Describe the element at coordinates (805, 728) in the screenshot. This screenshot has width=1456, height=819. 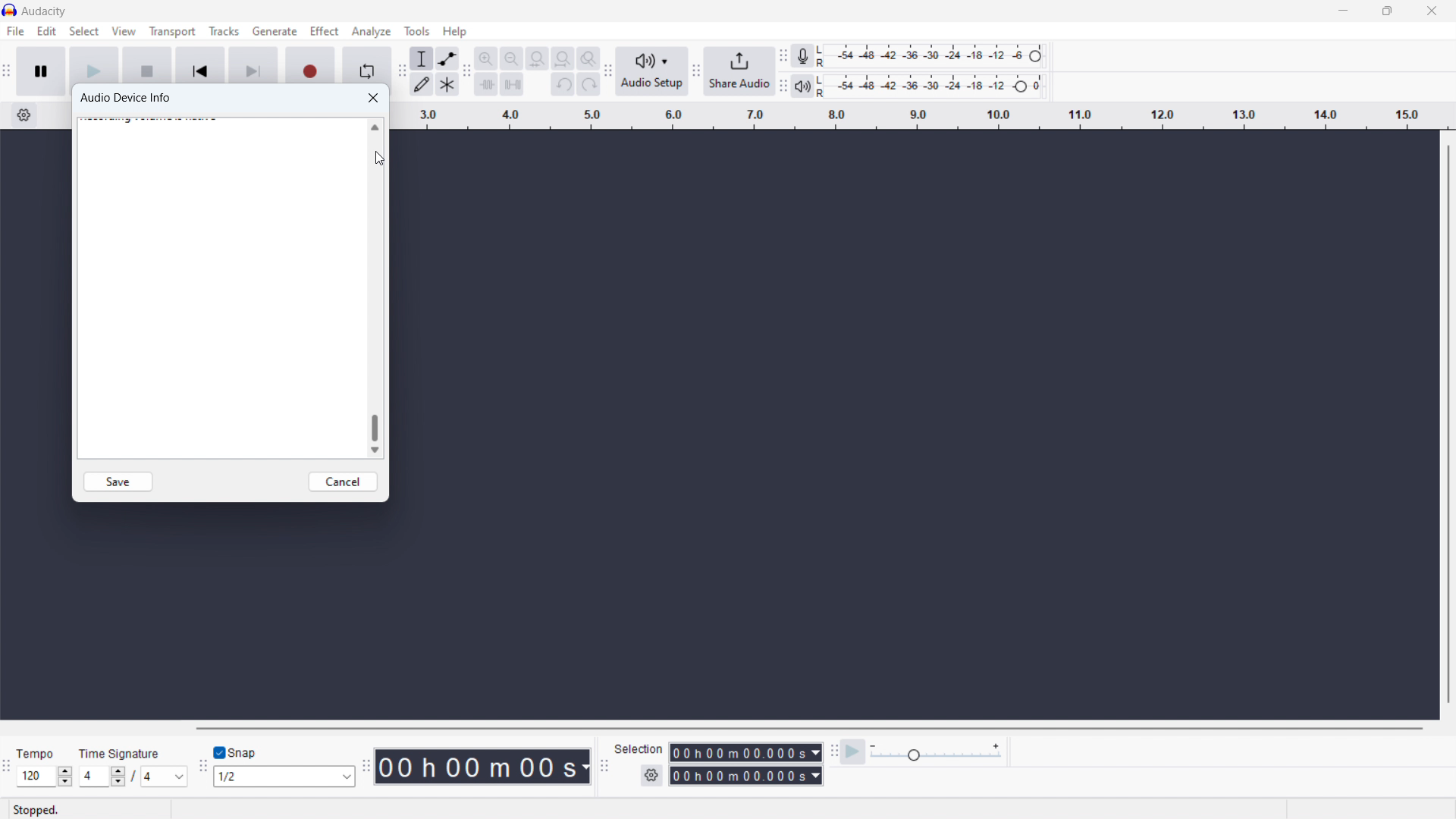
I see `horizontal scrollbar` at that location.